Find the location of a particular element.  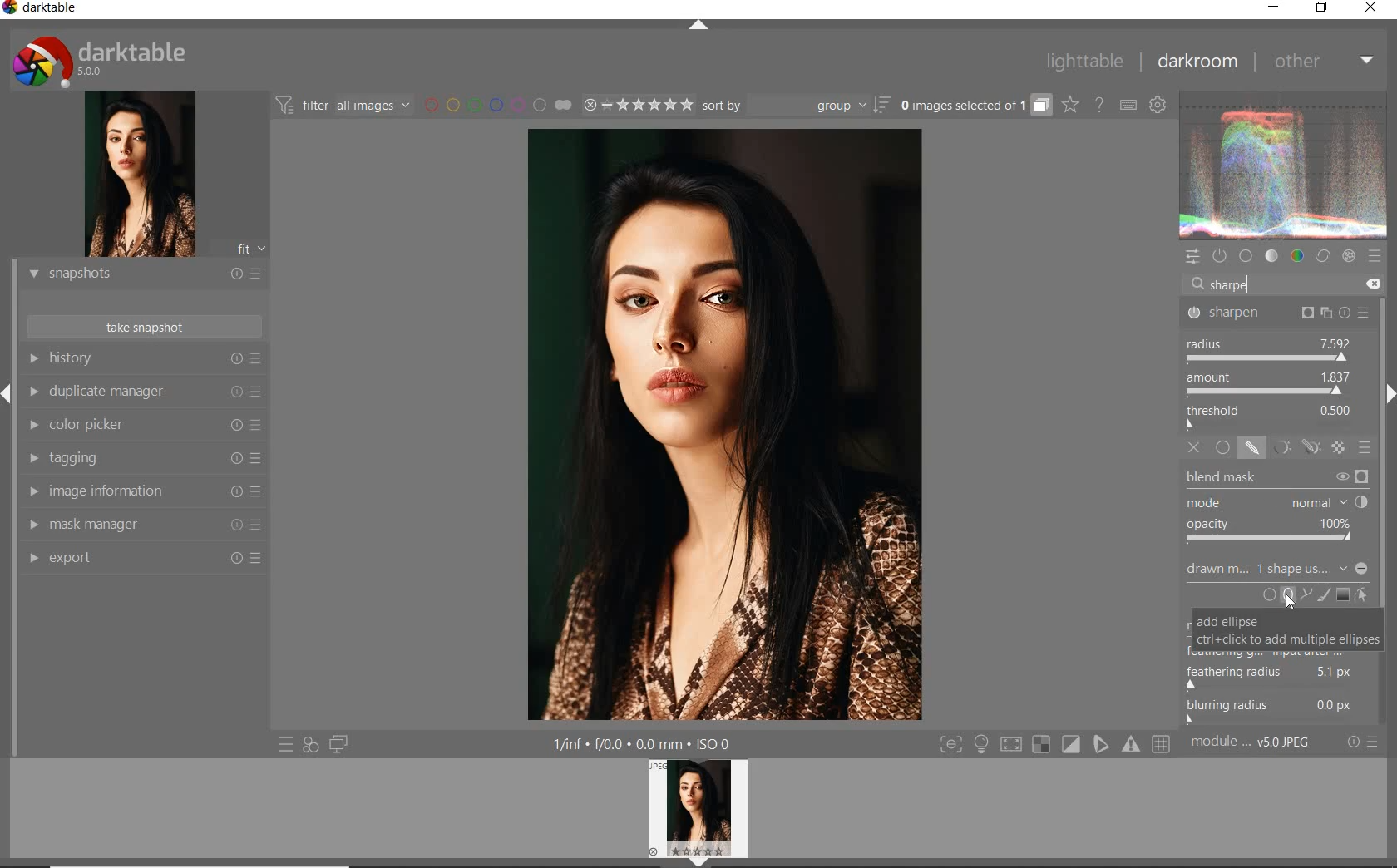

enable online help is located at coordinates (1098, 104).